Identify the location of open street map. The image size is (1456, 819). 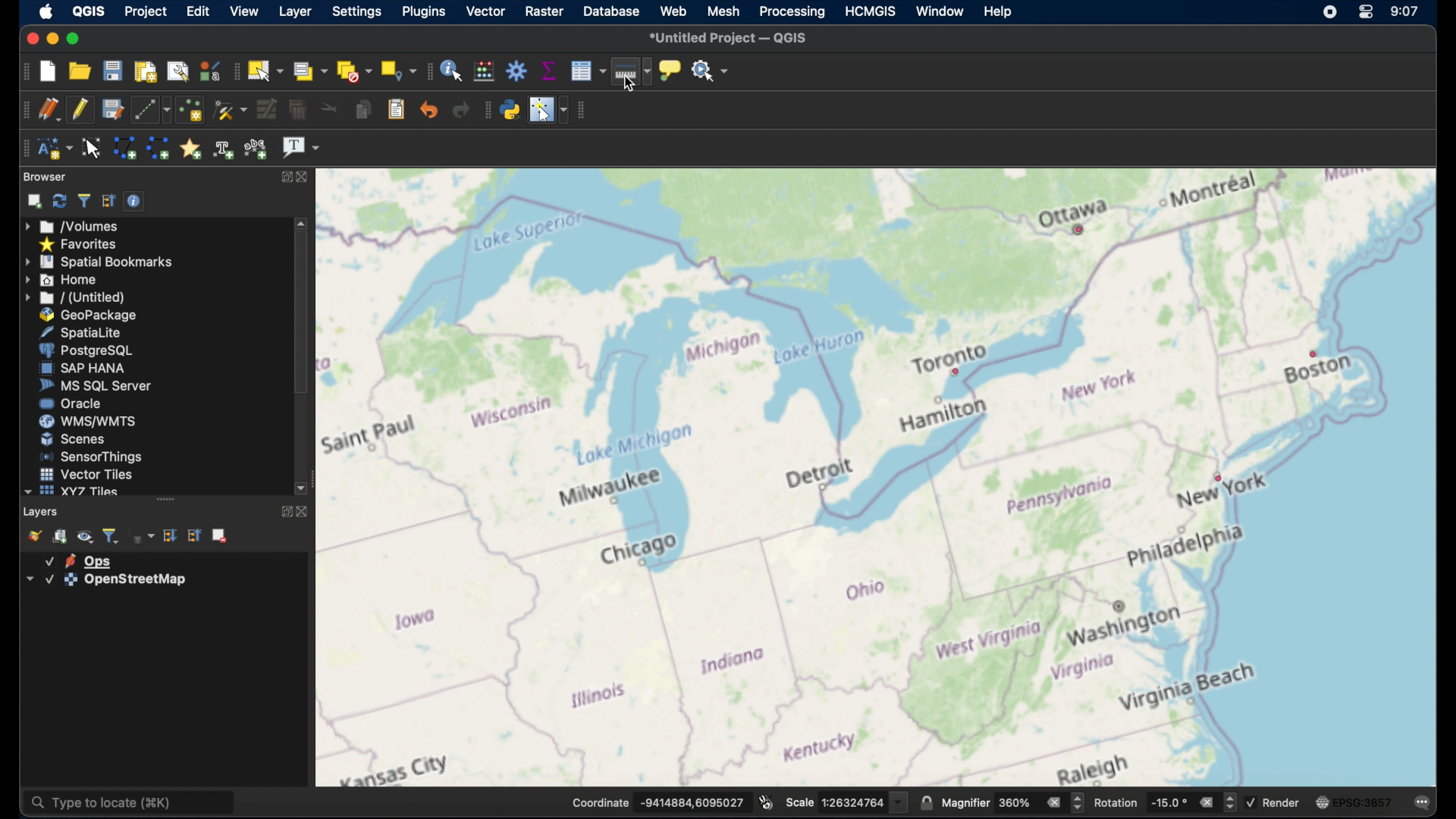
(999, 265).